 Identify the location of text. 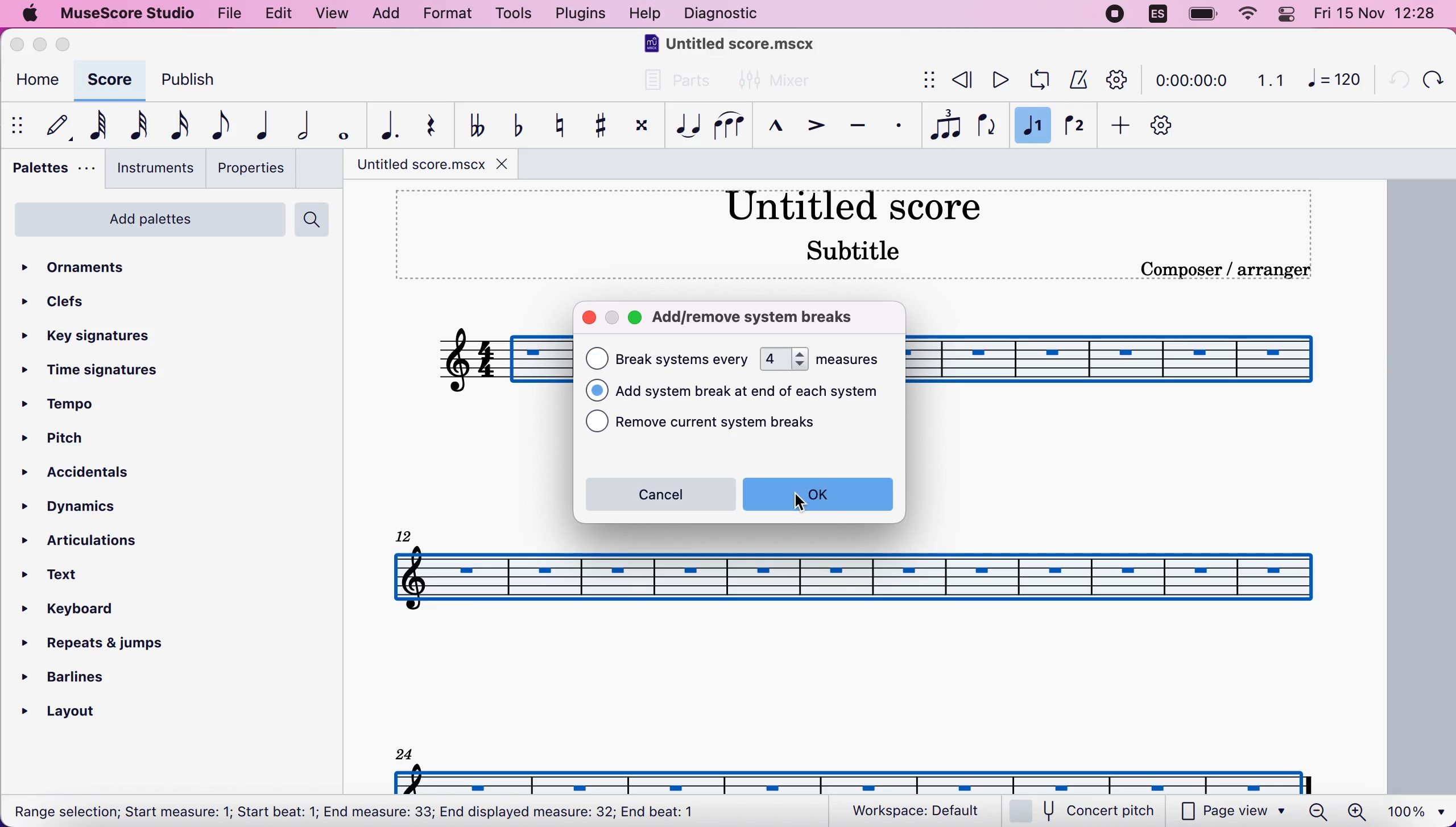
(355, 813).